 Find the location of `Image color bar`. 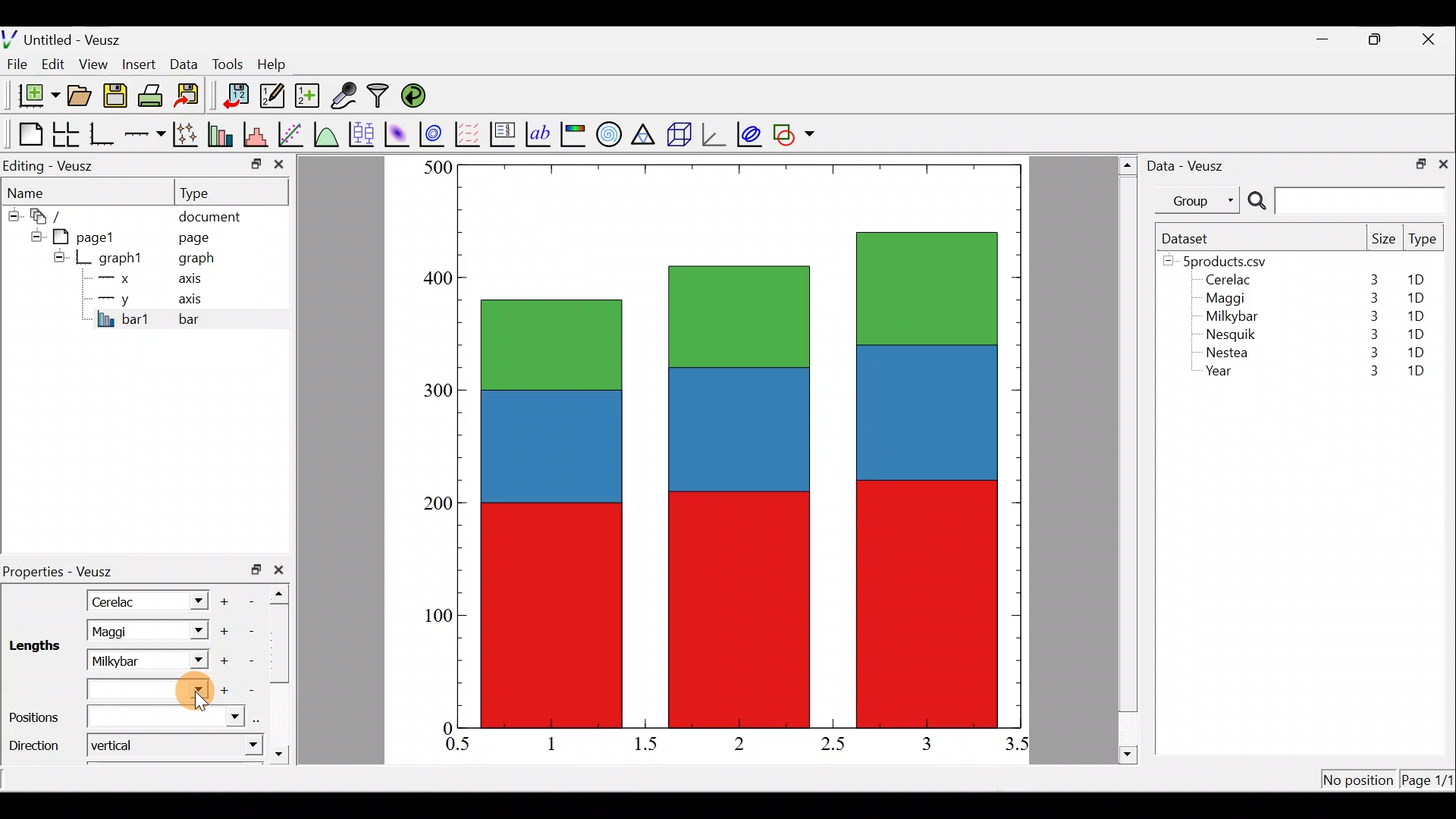

Image color bar is located at coordinates (574, 133).